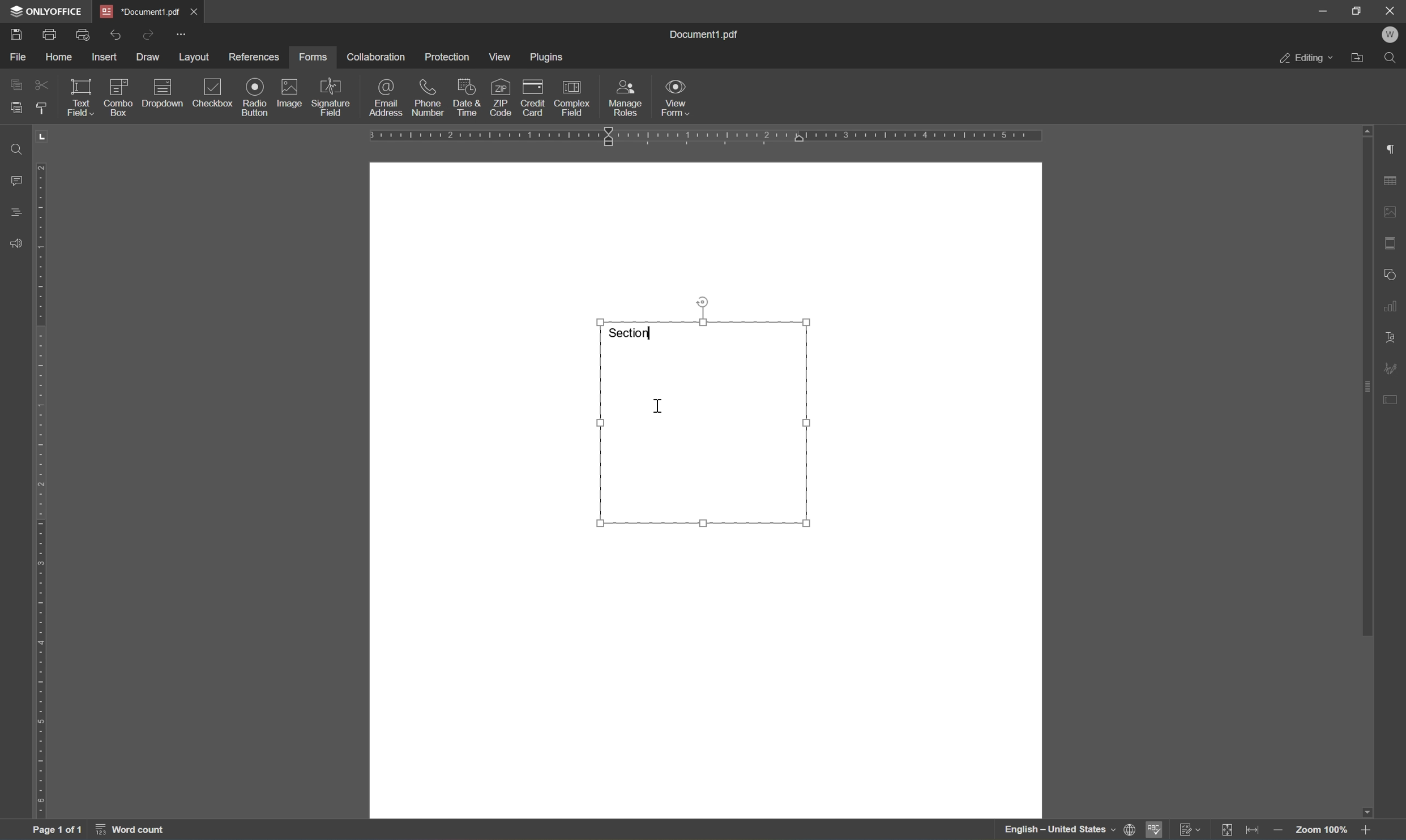 Image resolution: width=1406 pixels, height=840 pixels. Describe the element at coordinates (1307, 61) in the screenshot. I see `editing` at that location.